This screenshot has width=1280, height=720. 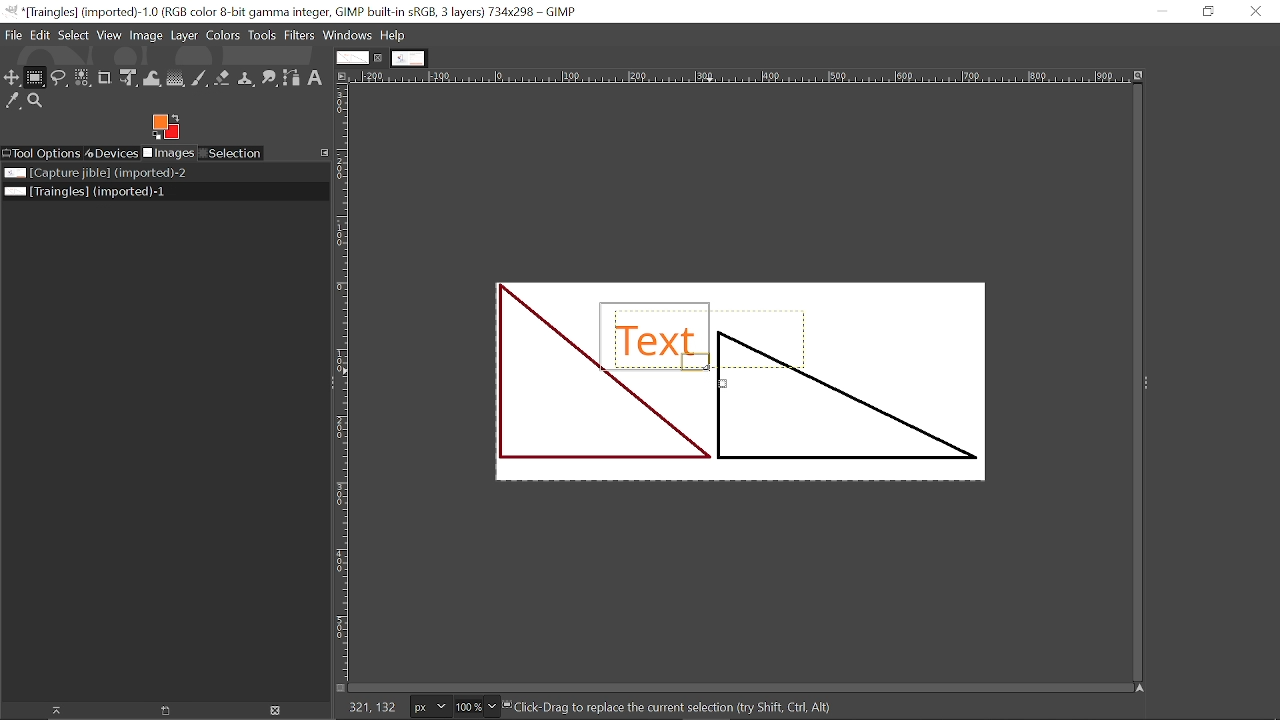 What do you see at coordinates (128, 77) in the screenshot?
I see `Unified transform tool` at bounding box center [128, 77].